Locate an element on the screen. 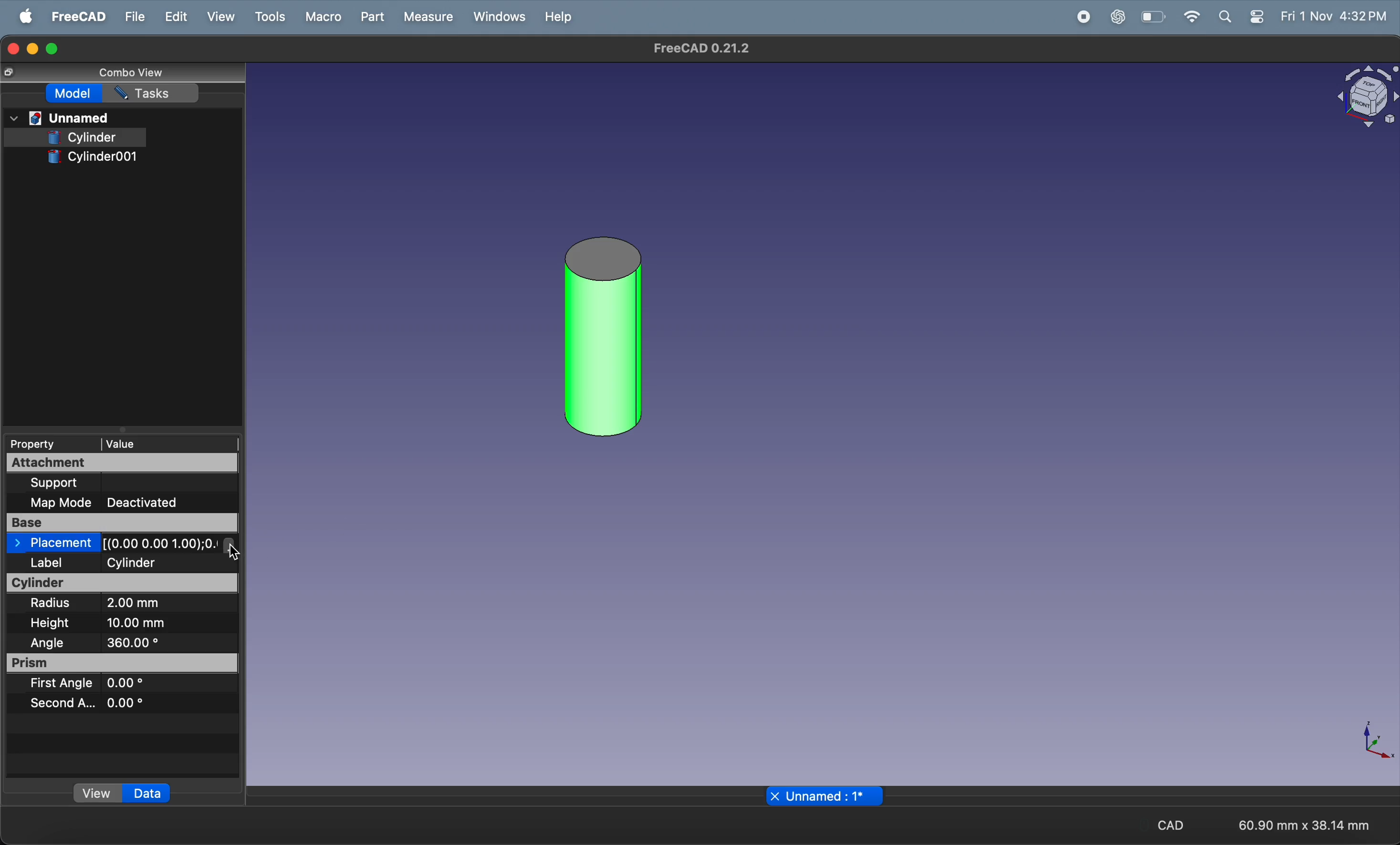 This screenshot has width=1400, height=845. help is located at coordinates (556, 20).